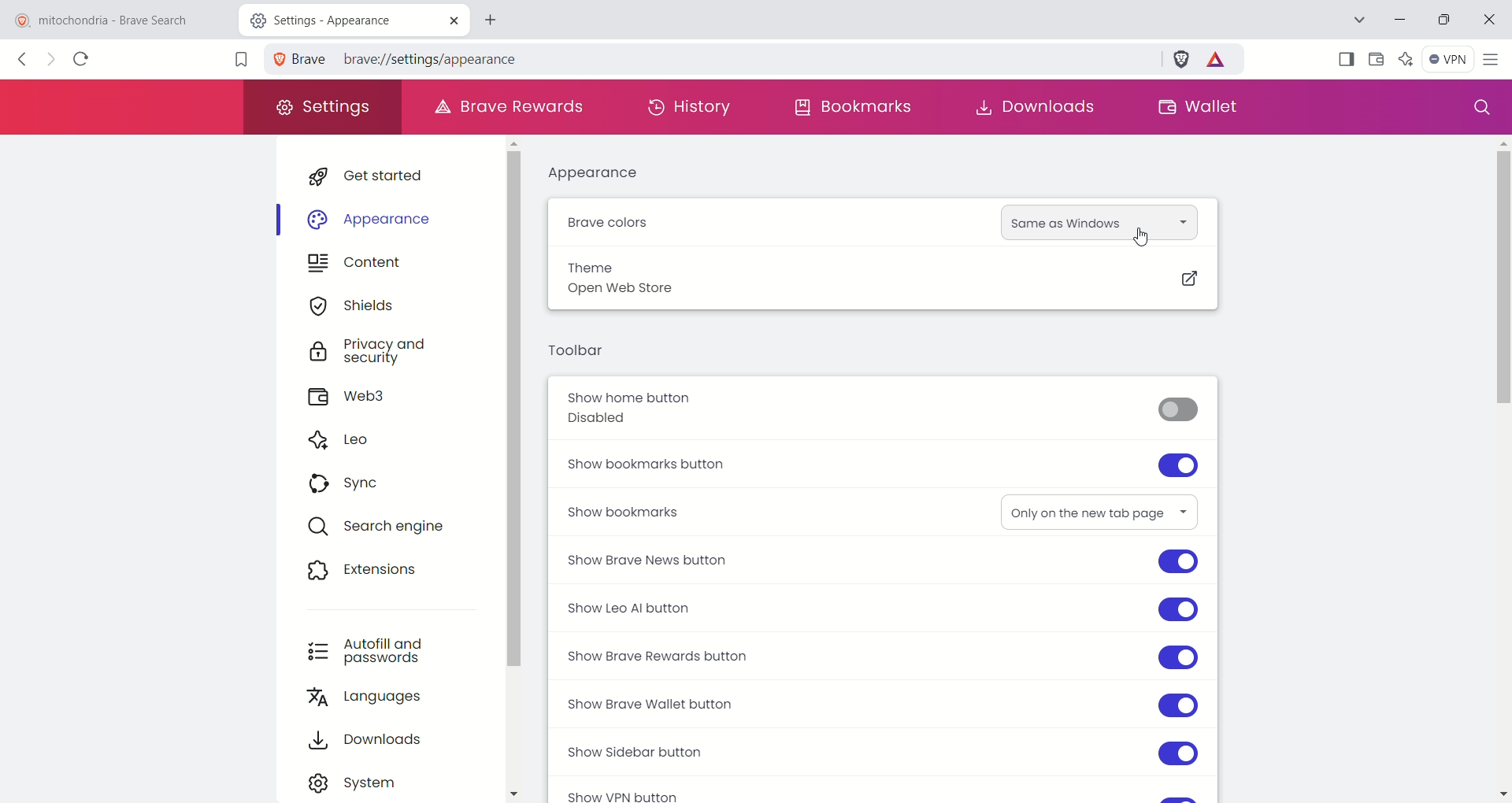 The width and height of the screenshot is (1512, 803). What do you see at coordinates (880, 561) in the screenshot?
I see `show brave news button` at bounding box center [880, 561].